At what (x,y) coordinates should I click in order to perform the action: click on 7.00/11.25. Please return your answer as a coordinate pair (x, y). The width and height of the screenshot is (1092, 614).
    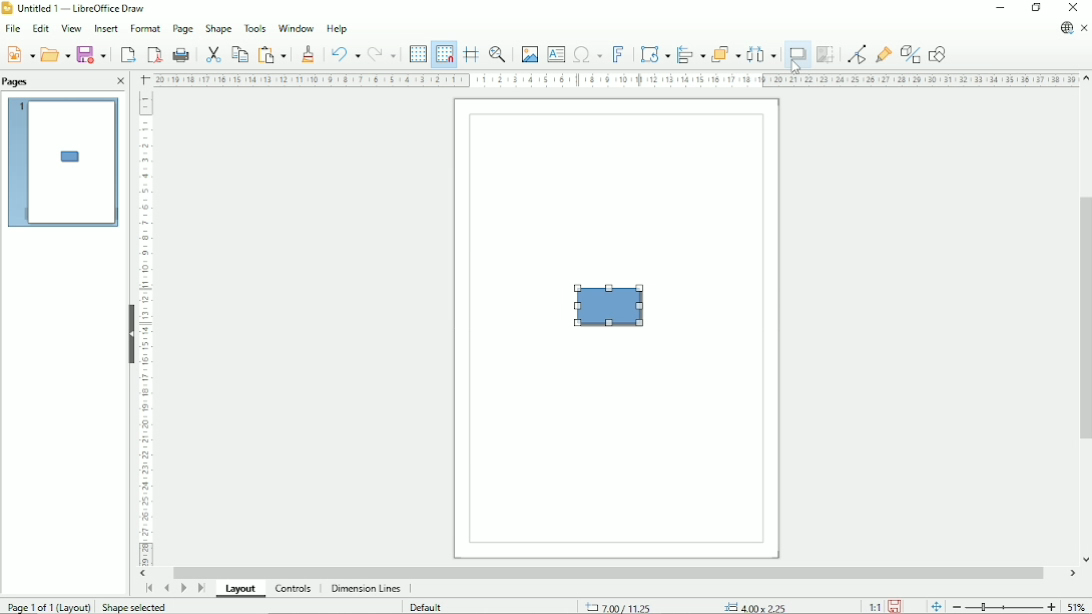
    Looking at the image, I should click on (623, 607).